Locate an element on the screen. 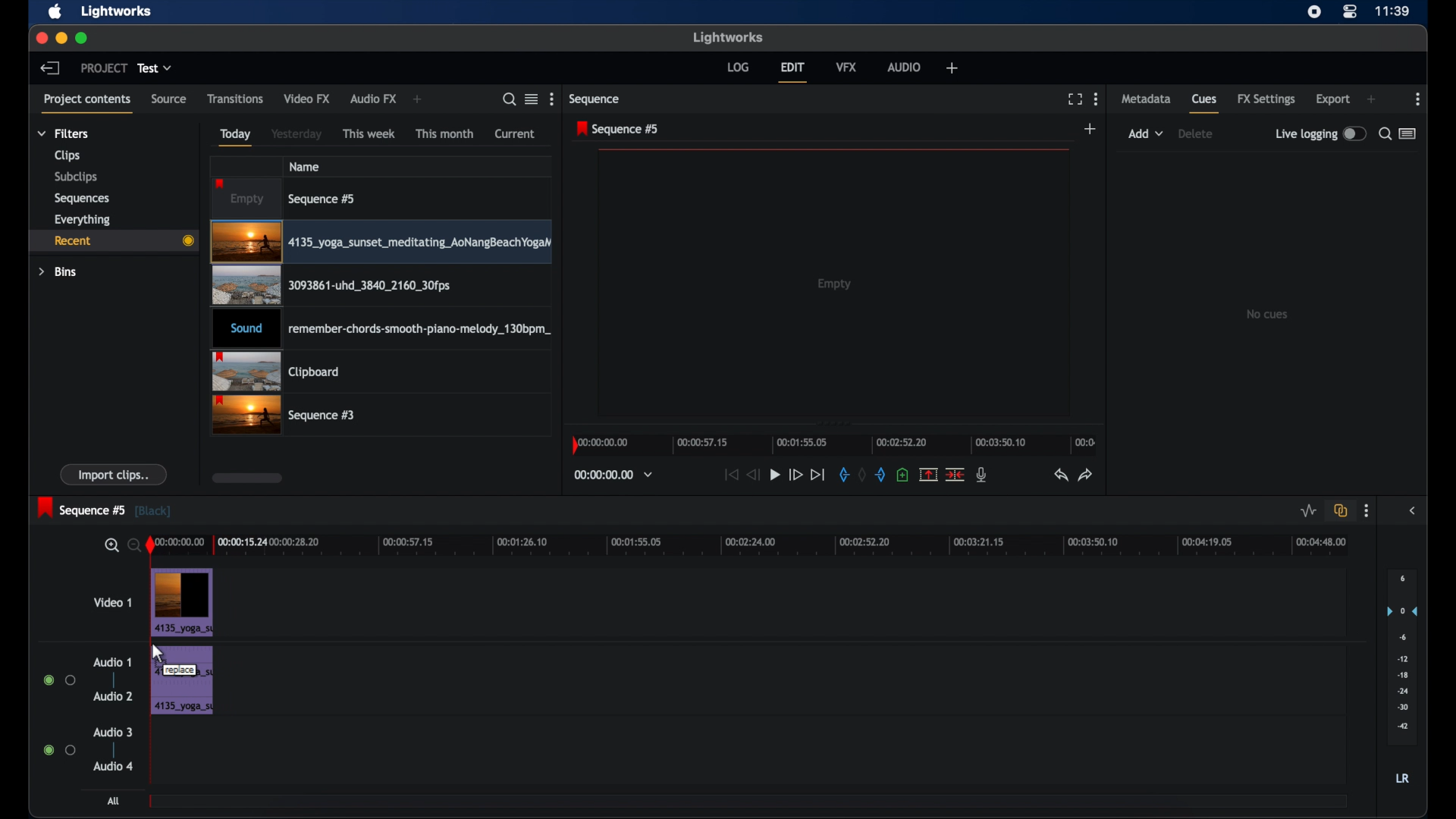 The height and width of the screenshot is (819, 1456). redo is located at coordinates (1086, 475).